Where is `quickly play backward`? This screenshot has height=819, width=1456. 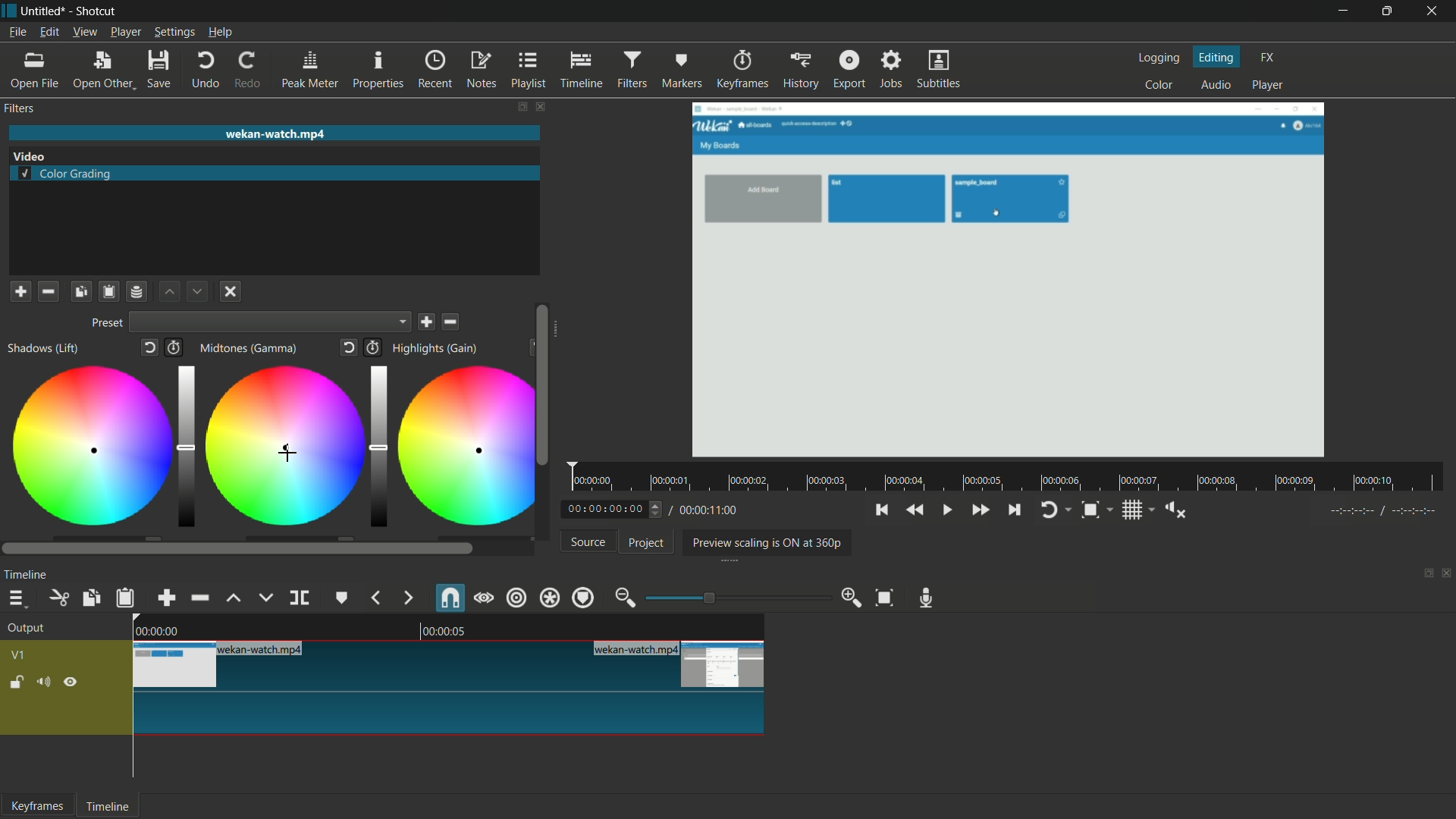
quickly play backward is located at coordinates (914, 510).